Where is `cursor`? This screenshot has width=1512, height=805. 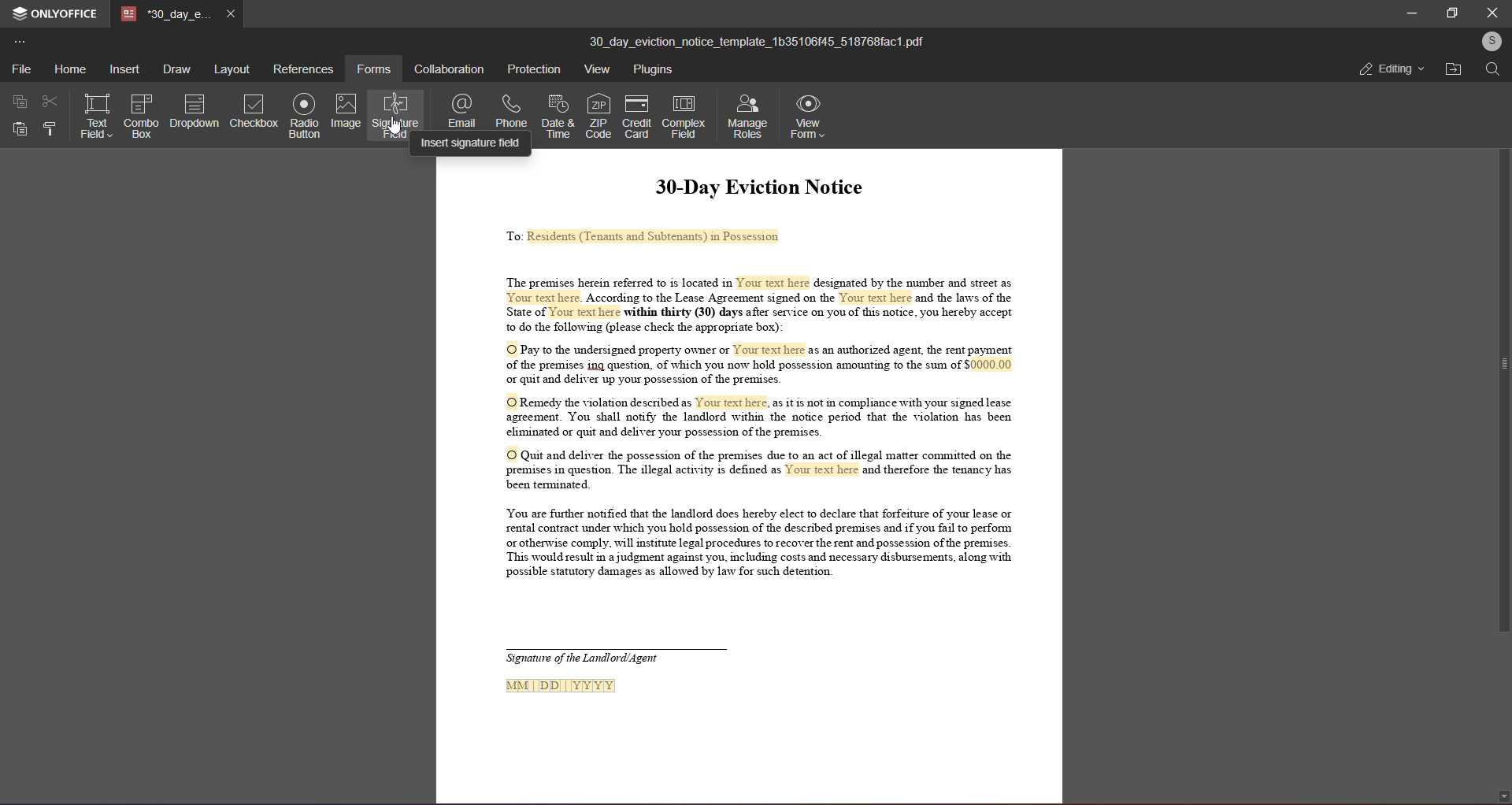 cursor is located at coordinates (395, 126).